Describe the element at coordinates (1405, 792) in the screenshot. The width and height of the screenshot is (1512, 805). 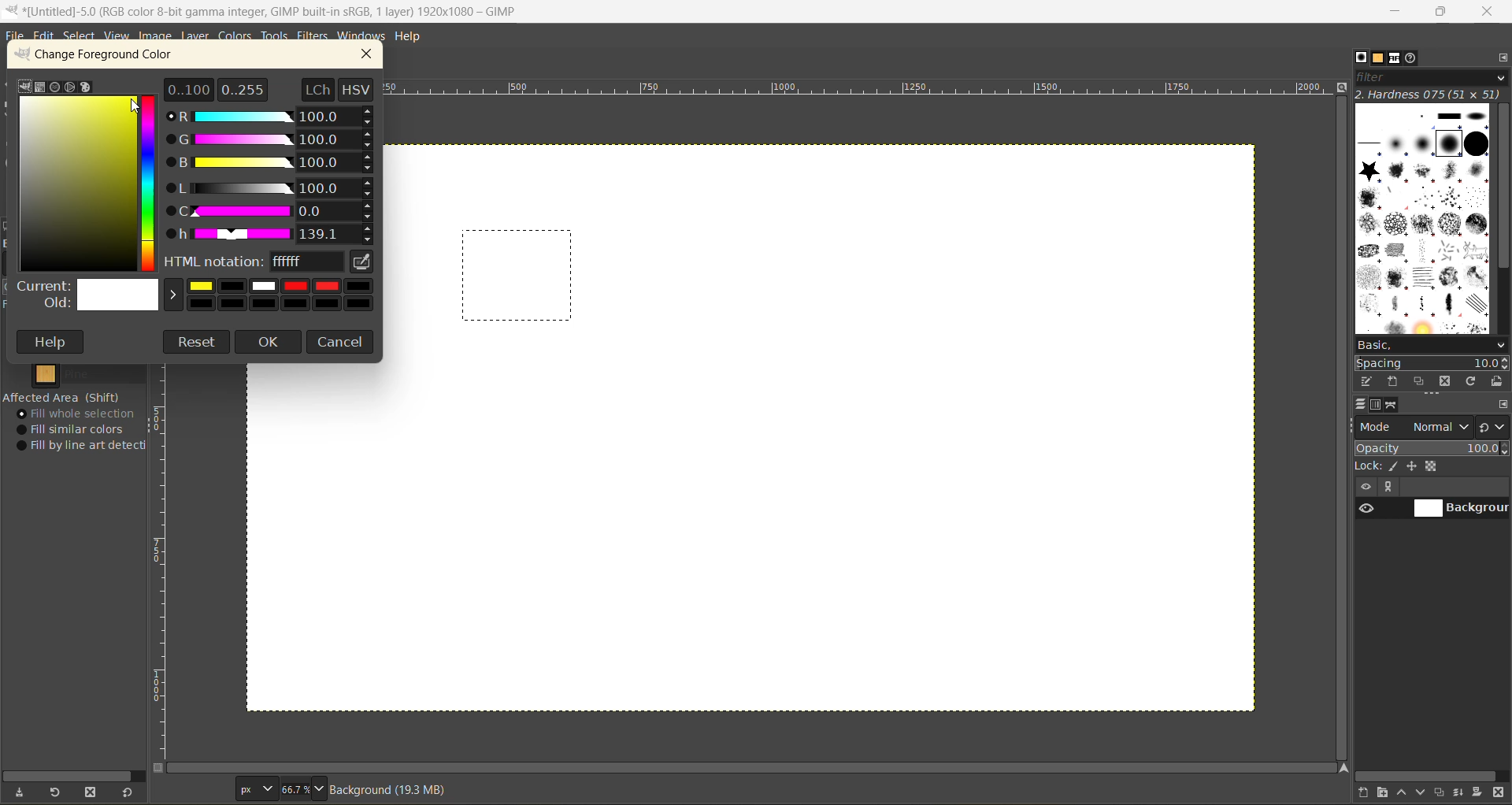
I see `raise this layer` at that location.